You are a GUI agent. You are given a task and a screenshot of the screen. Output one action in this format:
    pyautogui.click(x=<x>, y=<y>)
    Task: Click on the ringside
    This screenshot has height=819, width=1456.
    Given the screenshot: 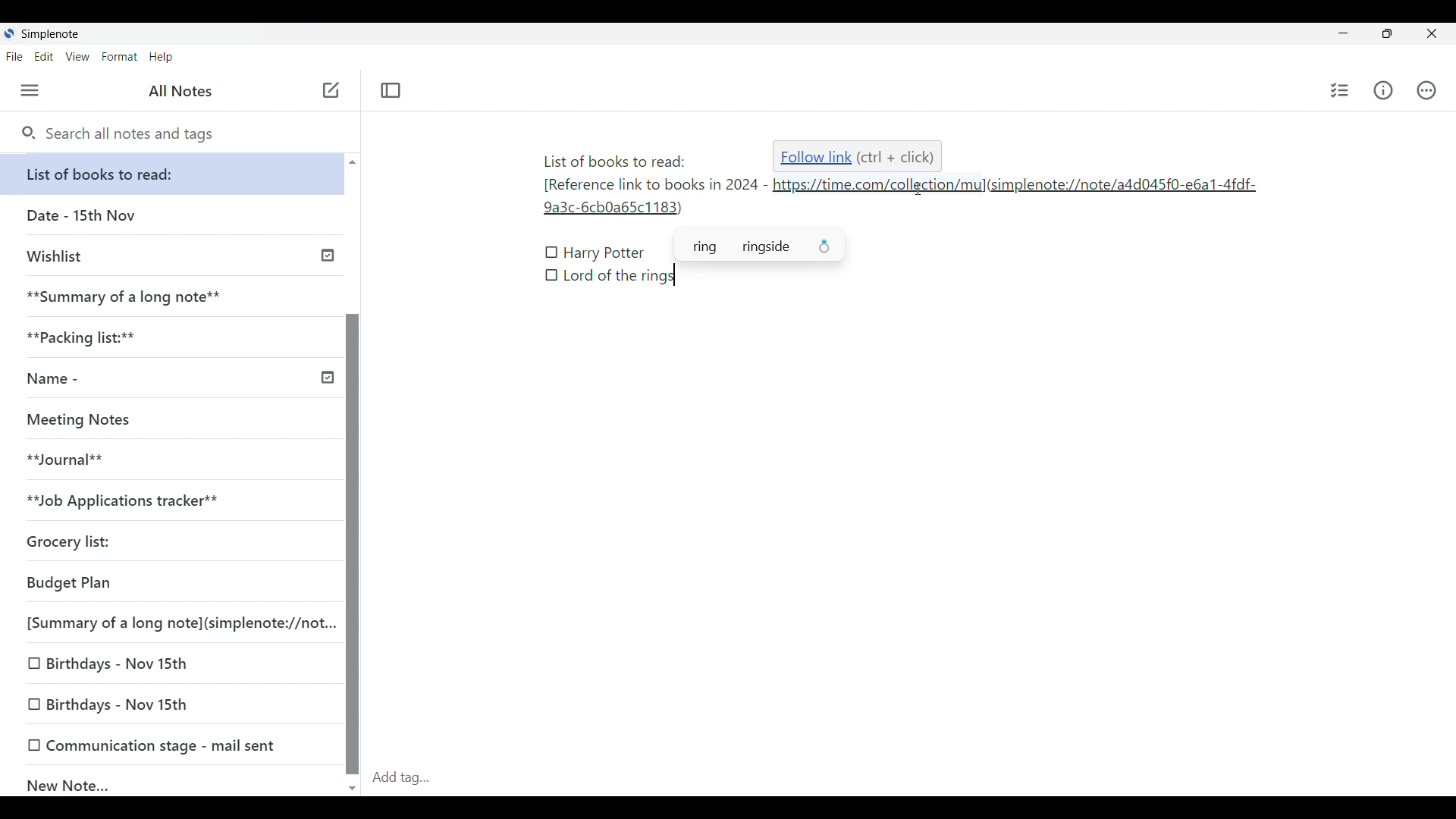 What is the action you would take?
    pyautogui.click(x=789, y=248)
    